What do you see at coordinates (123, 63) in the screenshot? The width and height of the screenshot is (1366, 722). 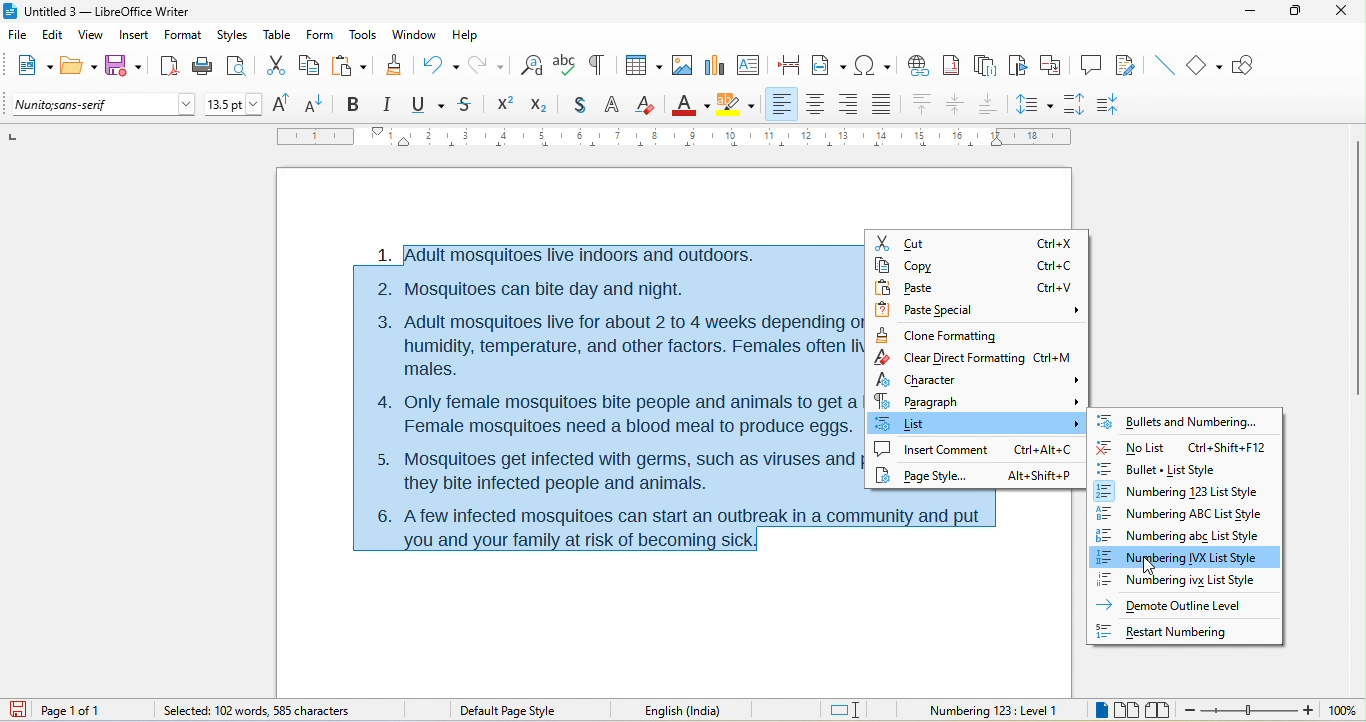 I see `save` at bounding box center [123, 63].